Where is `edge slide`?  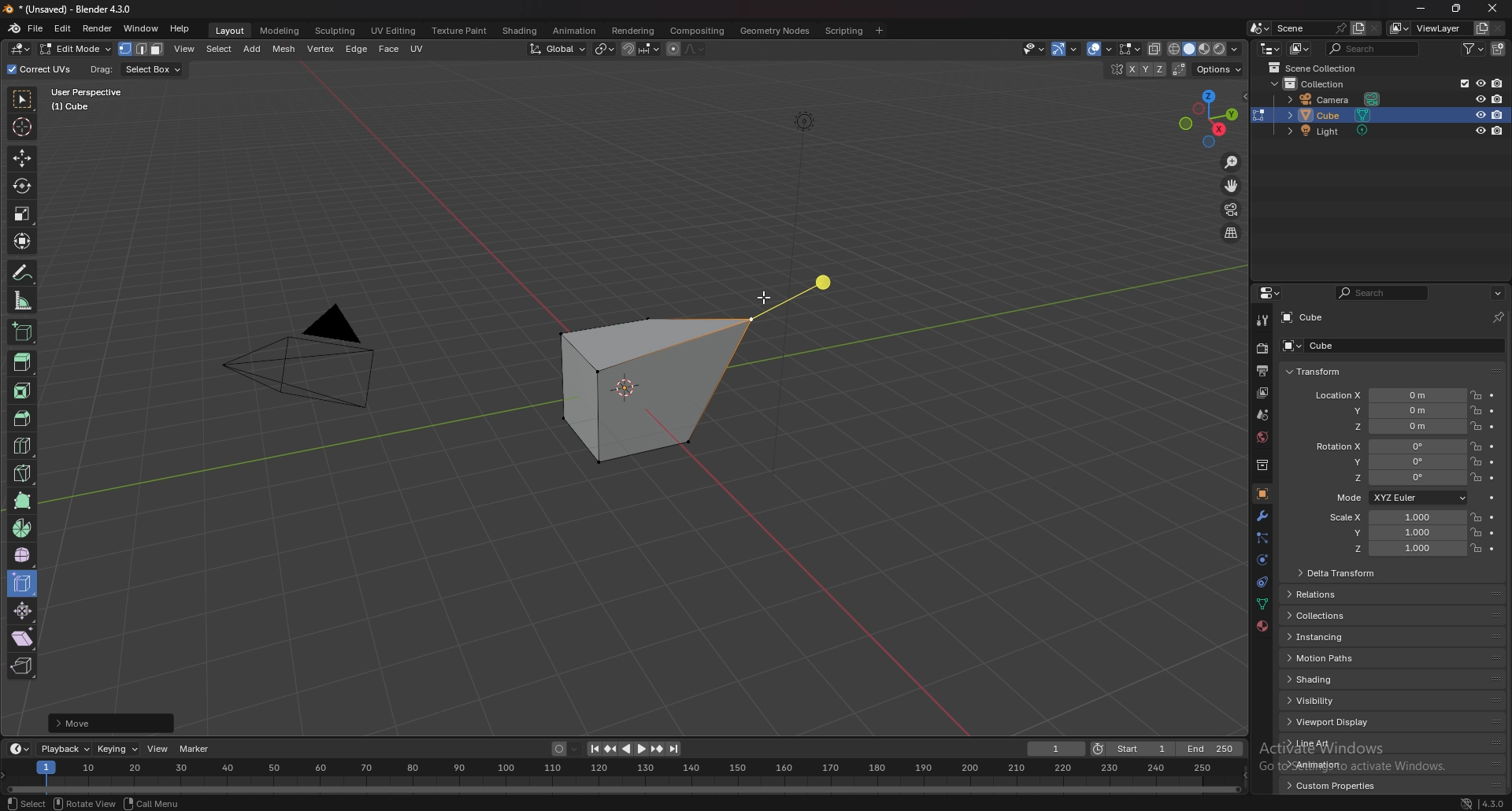
edge slide is located at coordinates (23, 581).